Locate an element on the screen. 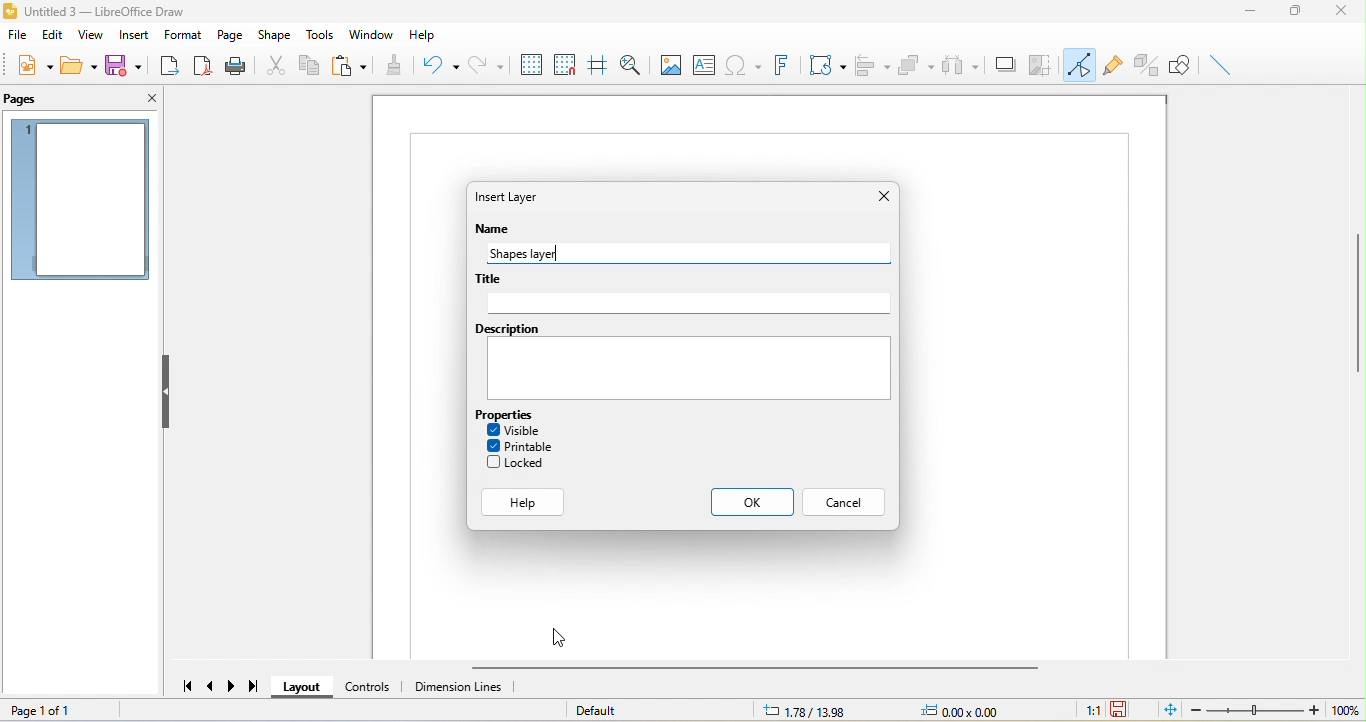 Image resolution: width=1366 pixels, height=722 pixels. cursor  is located at coordinates (558, 638).